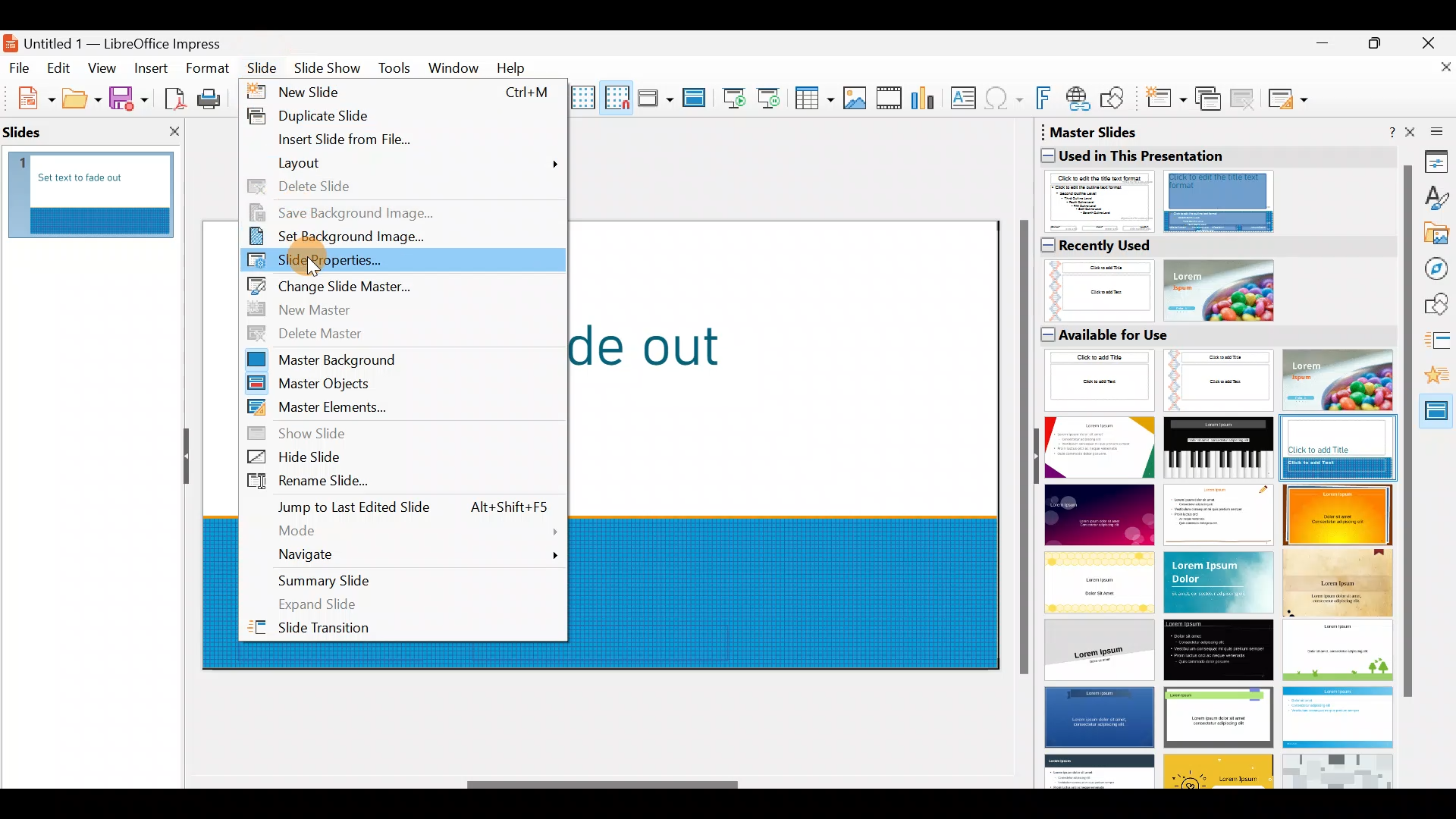  What do you see at coordinates (1438, 344) in the screenshot?
I see `Slide transition` at bounding box center [1438, 344].